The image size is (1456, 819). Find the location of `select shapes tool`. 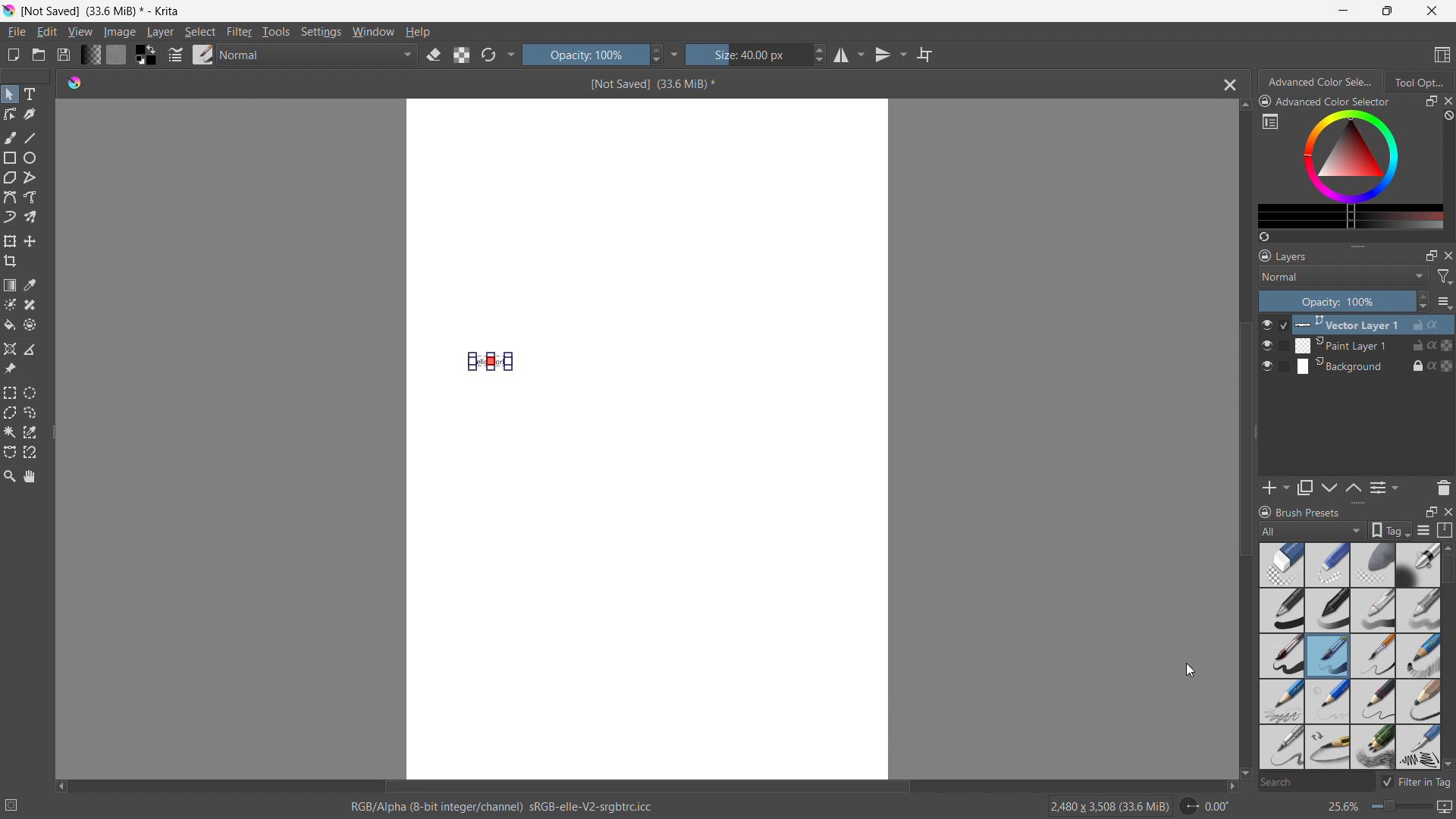

select shapes tool is located at coordinates (8, 94).